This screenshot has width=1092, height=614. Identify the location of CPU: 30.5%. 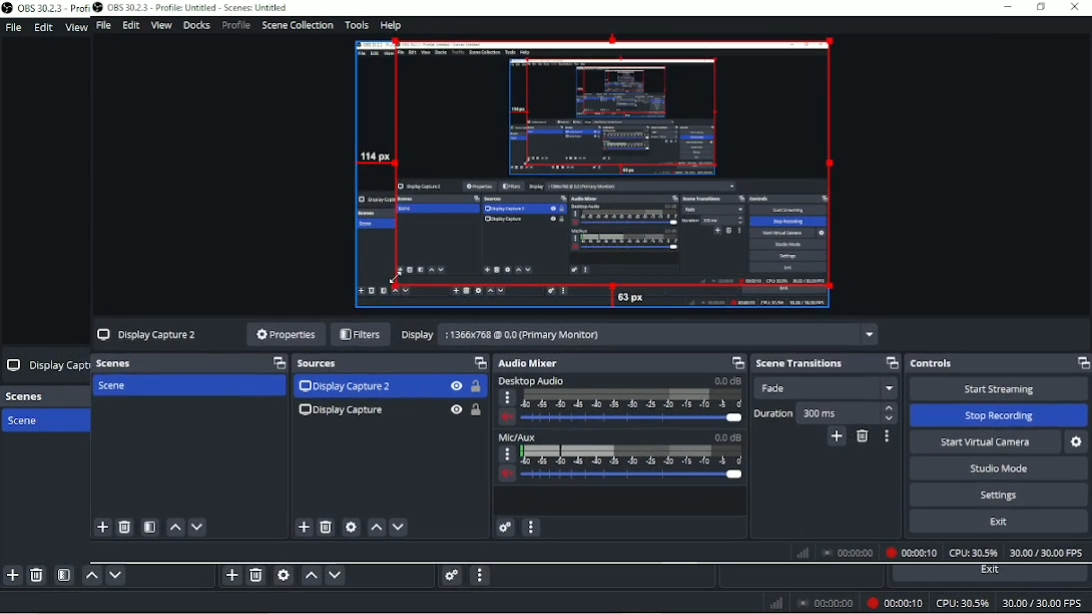
(971, 551).